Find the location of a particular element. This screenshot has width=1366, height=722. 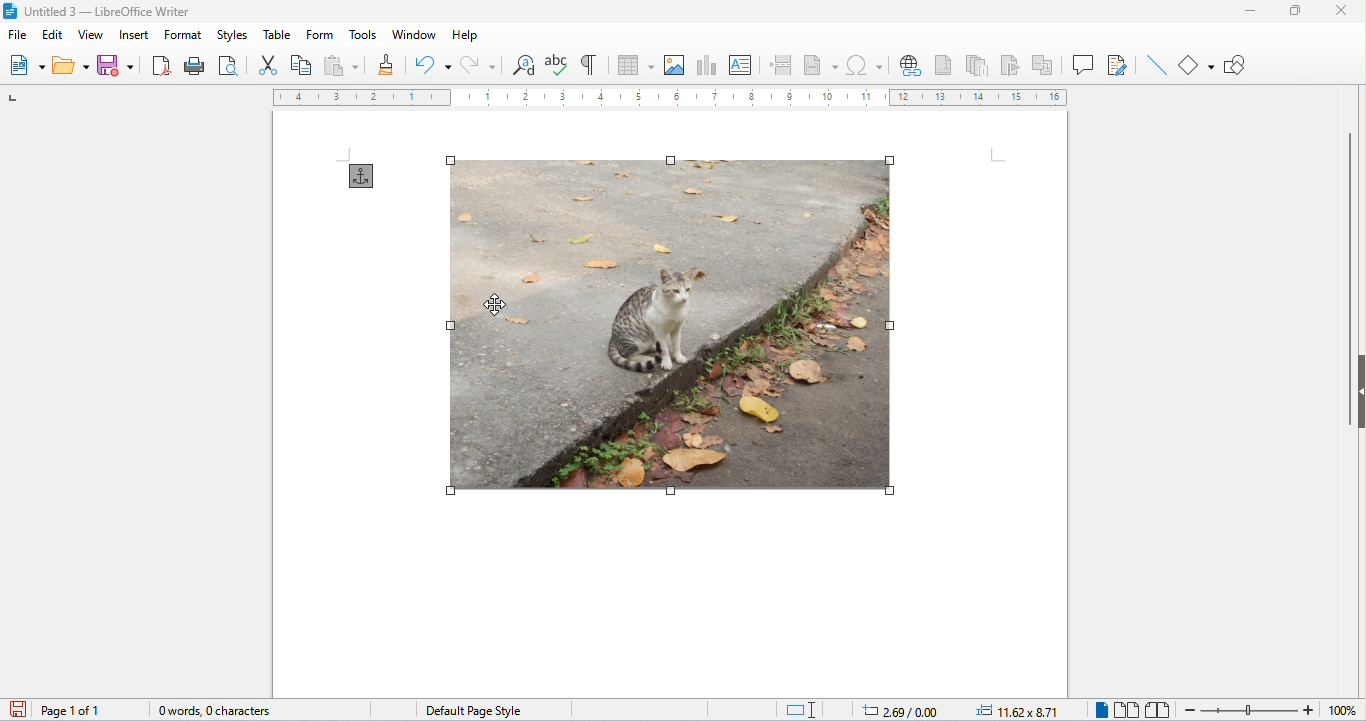

toggle formatting marks is located at coordinates (590, 64).